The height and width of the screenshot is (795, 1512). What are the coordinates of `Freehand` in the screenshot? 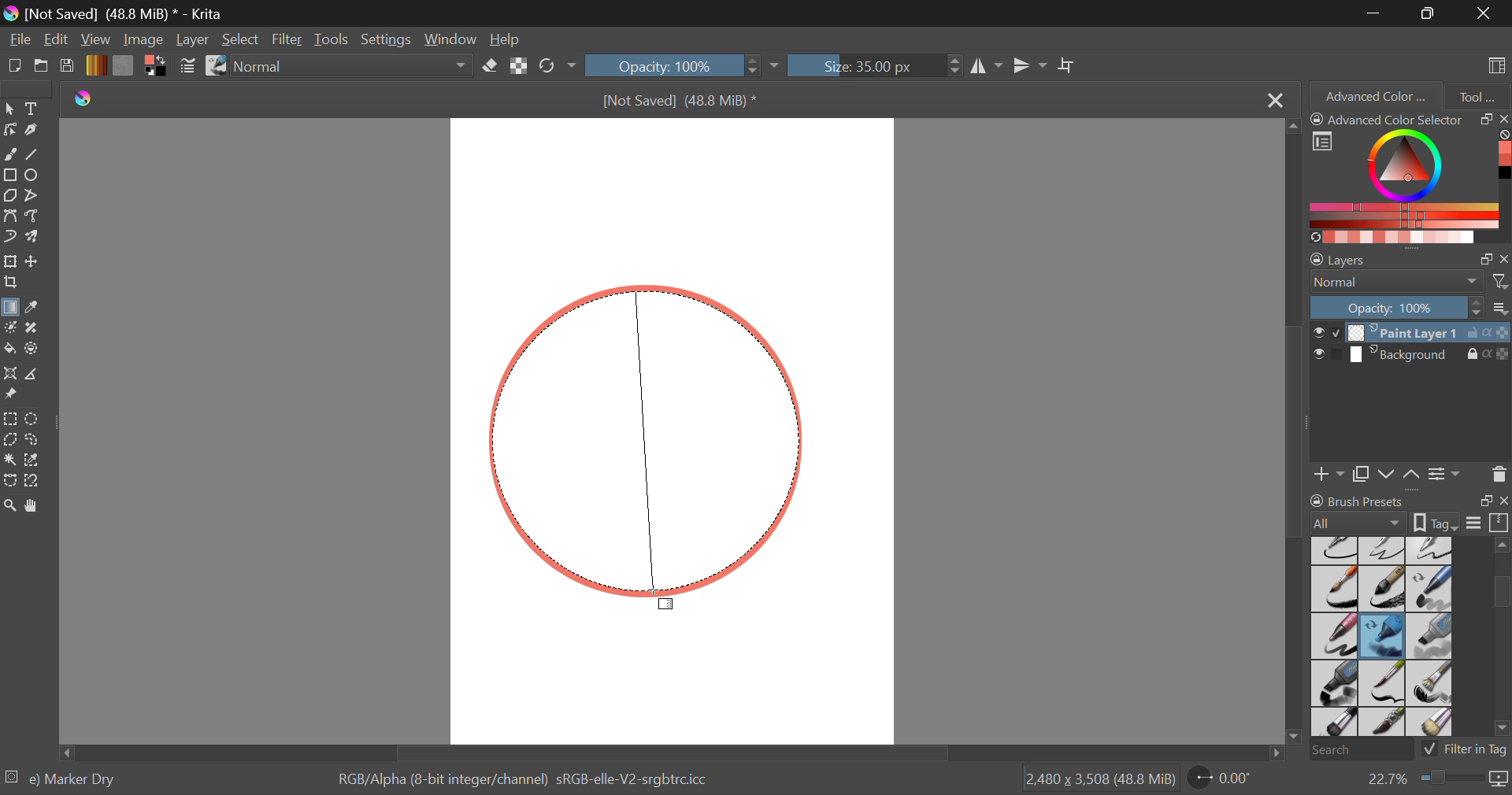 It's located at (11, 154).